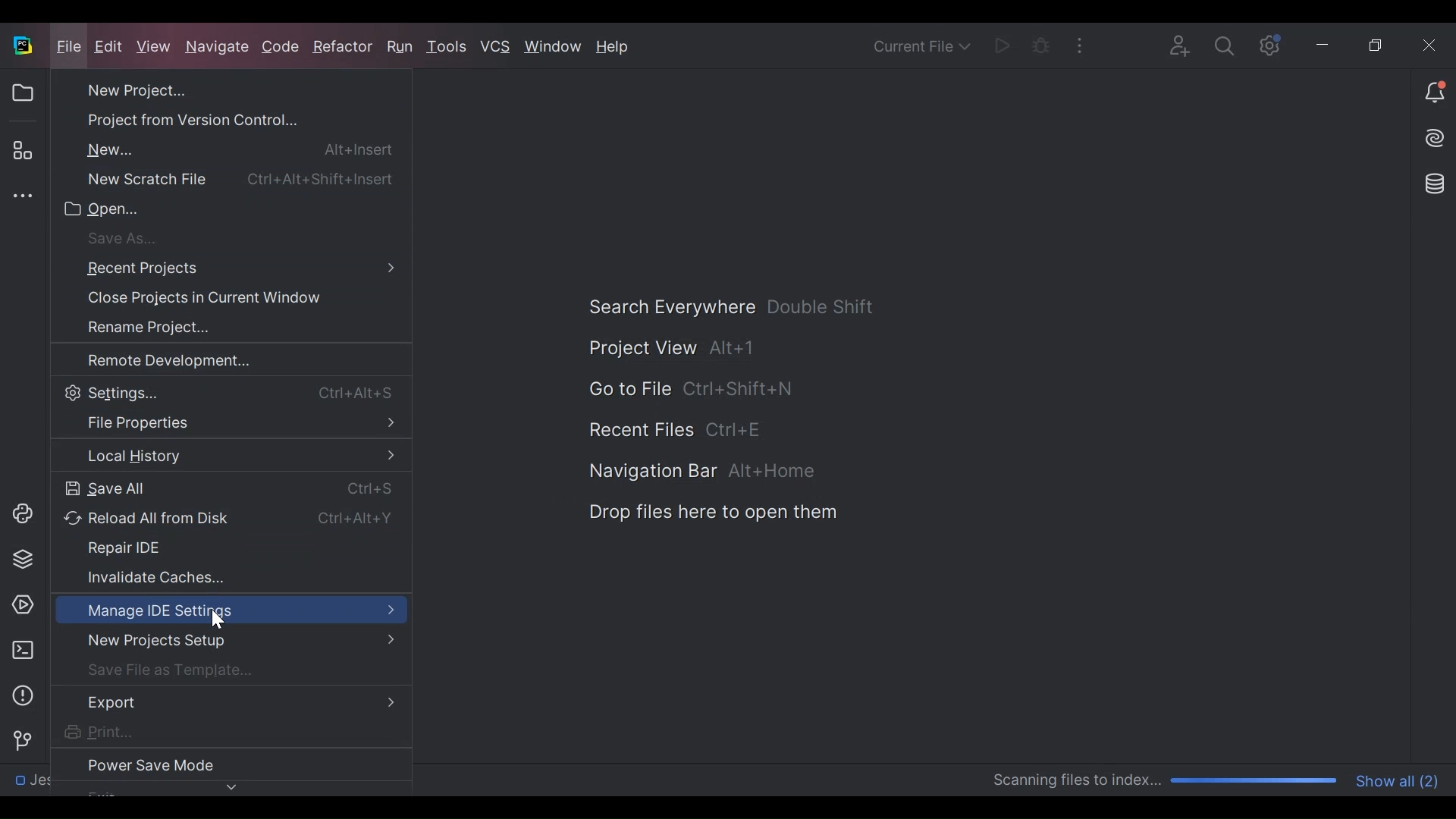 This screenshot has width=1456, height=819. Describe the element at coordinates (69, 46) in the screenshot. I see `File` at that location.